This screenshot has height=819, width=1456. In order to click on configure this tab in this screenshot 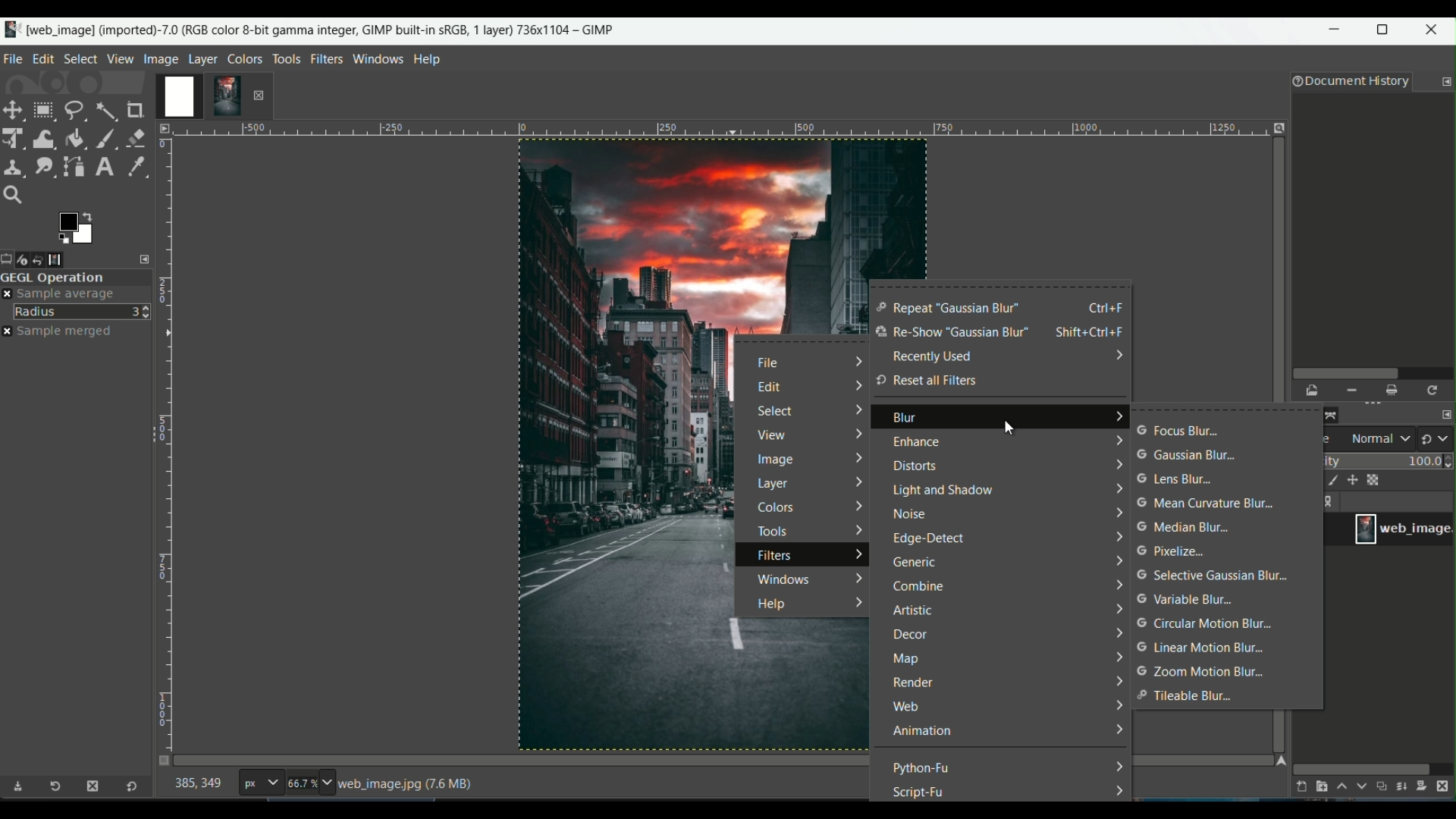, I will do `click(1446, 82)`.